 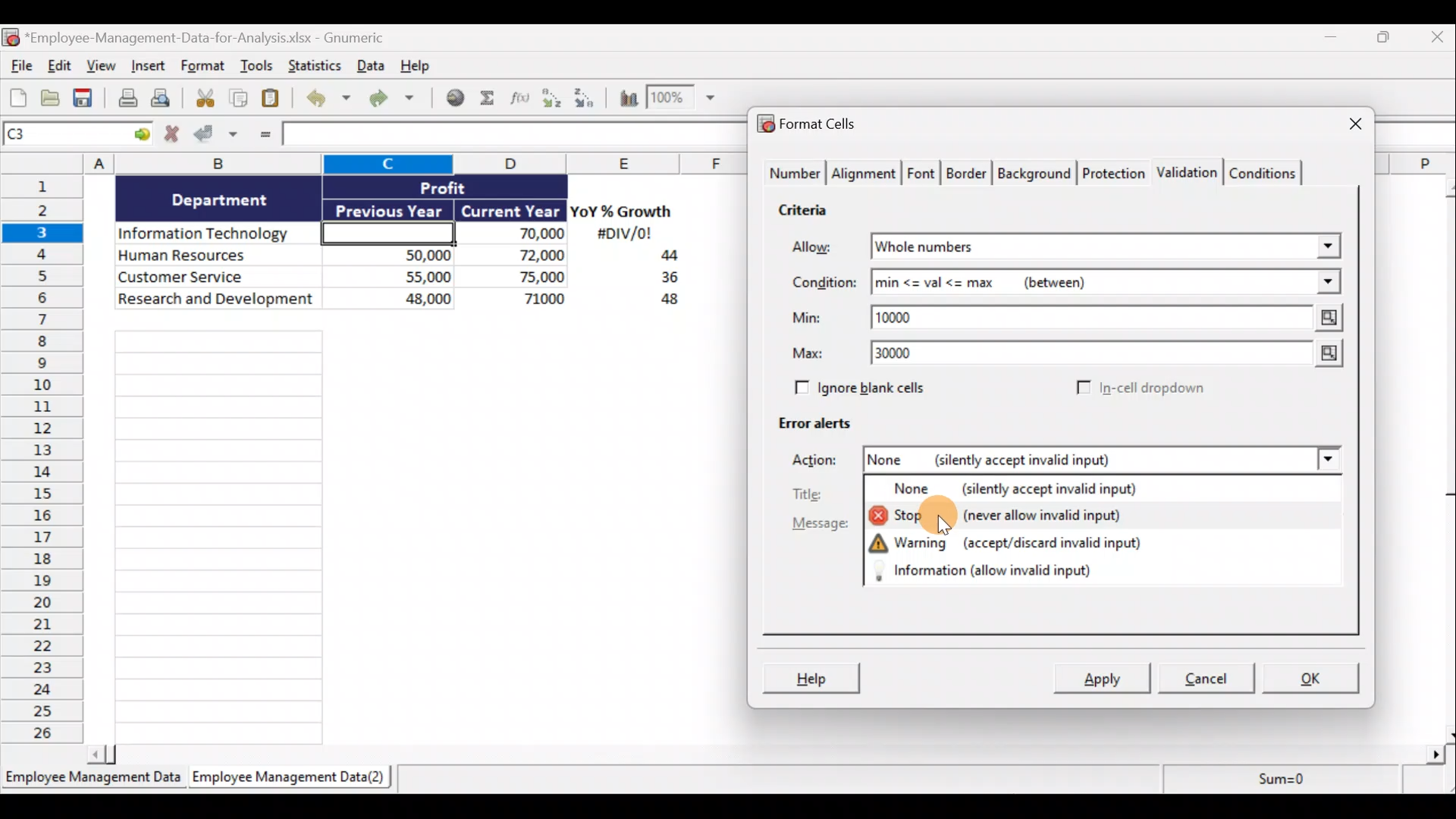 I want to click on View, so click(x=103, y=67).